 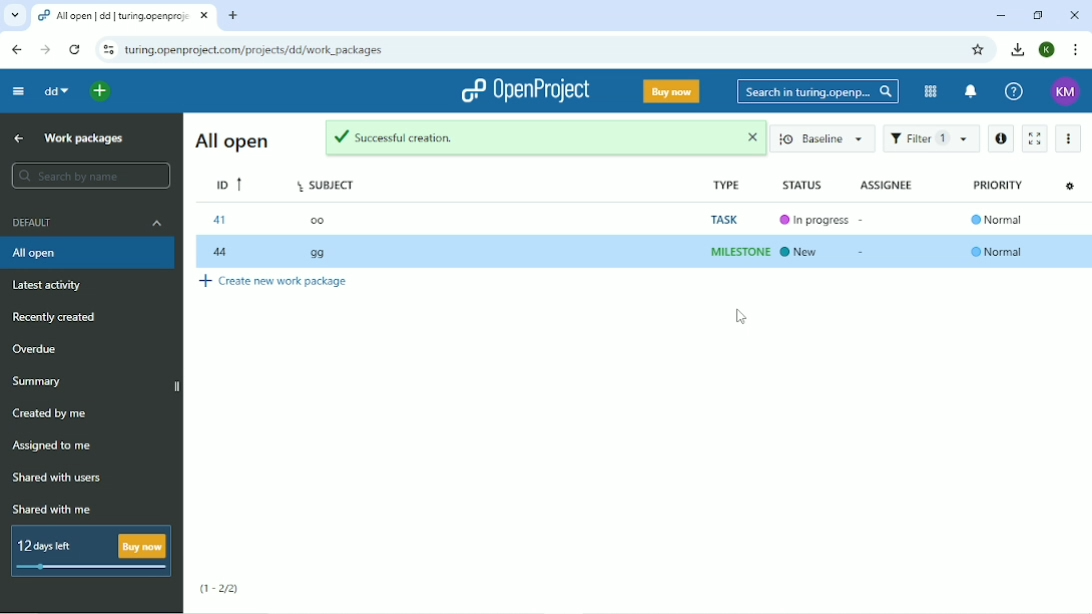 What do you see at coordinates (233, 16) in the screenshot?
I see `New tab` at bounding box center [233, 16].